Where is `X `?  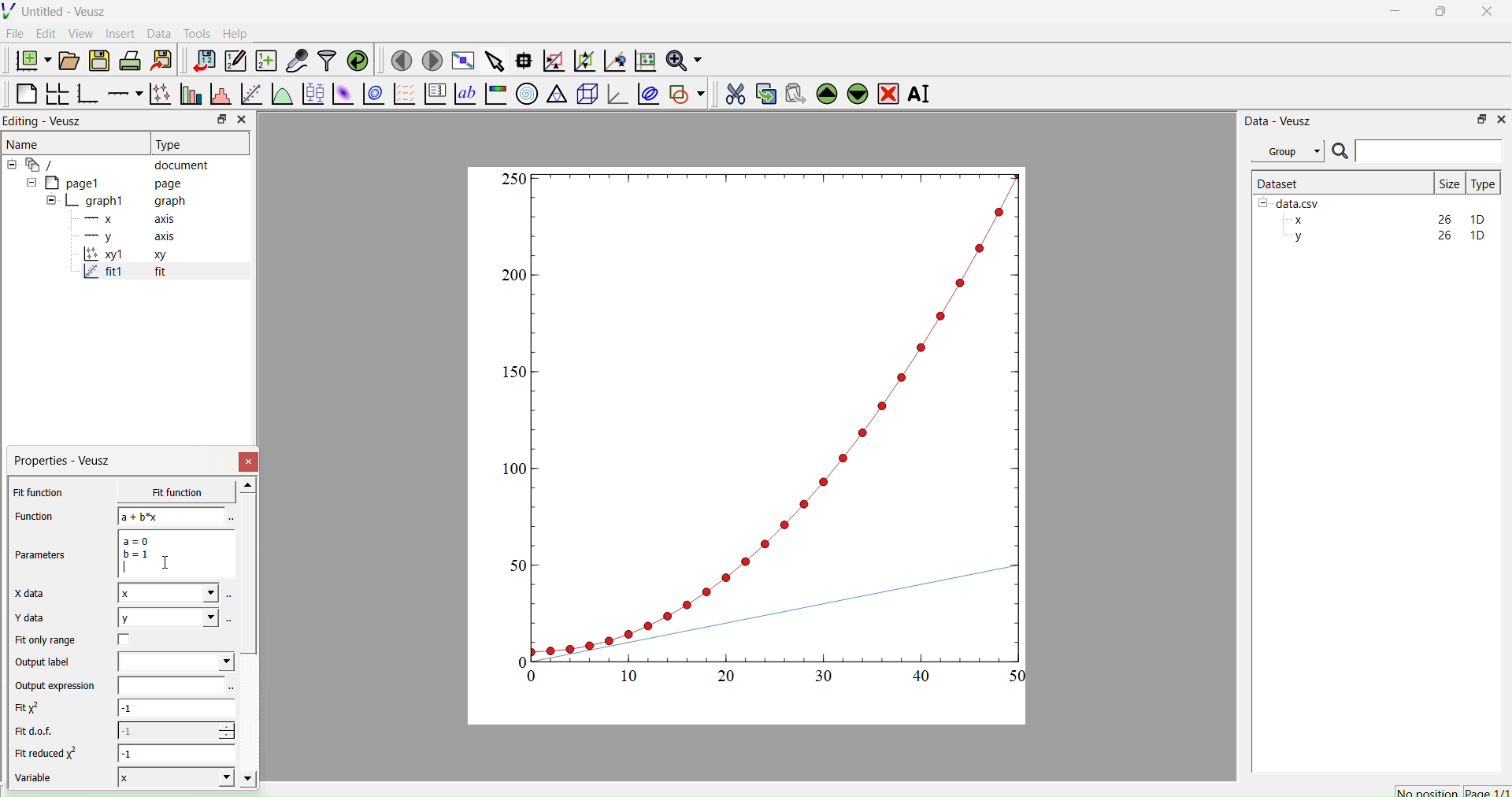
X  is located at coordinates (173, 777).